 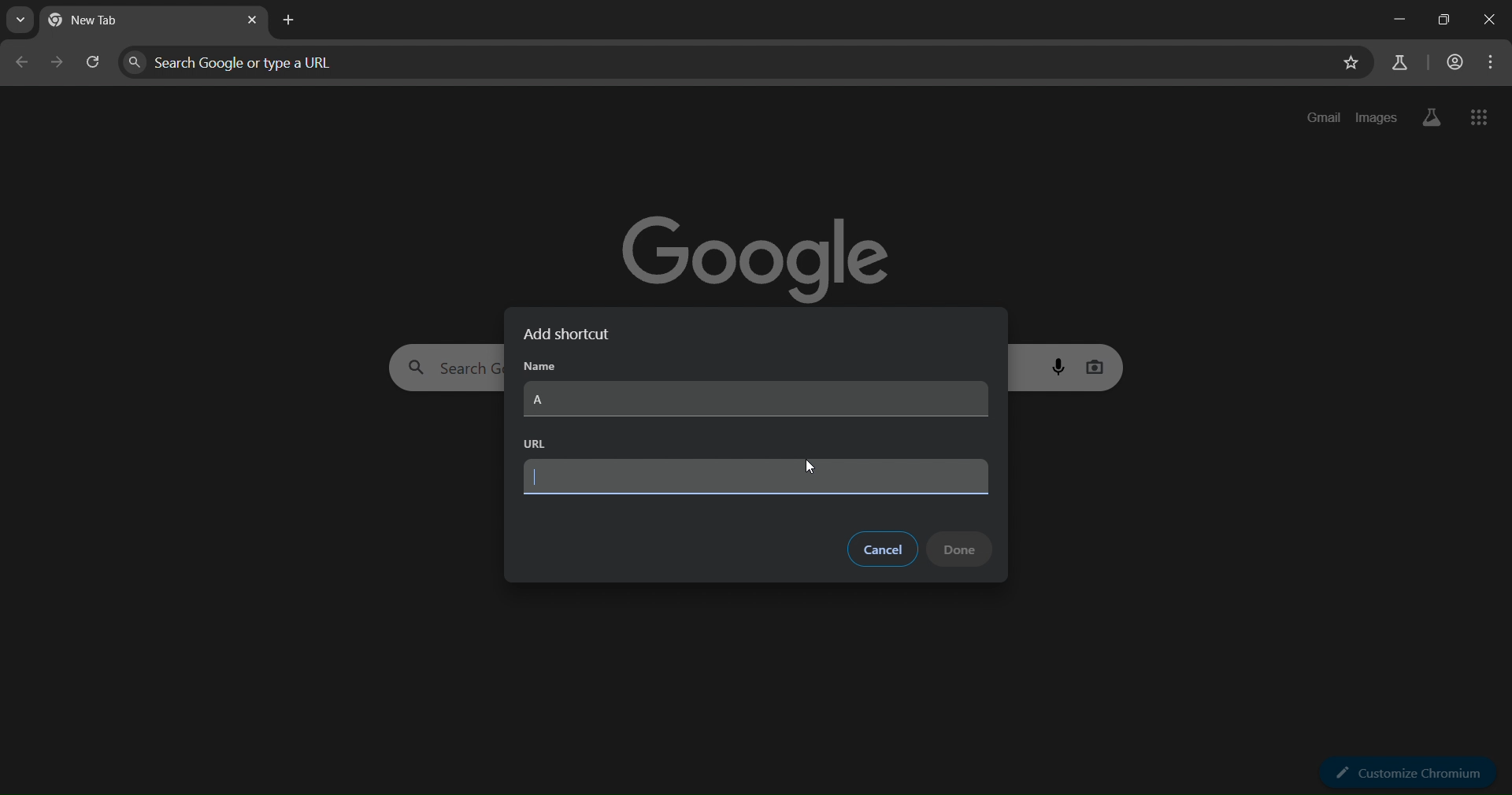 I want to click on A, so click(x=757, y=400).